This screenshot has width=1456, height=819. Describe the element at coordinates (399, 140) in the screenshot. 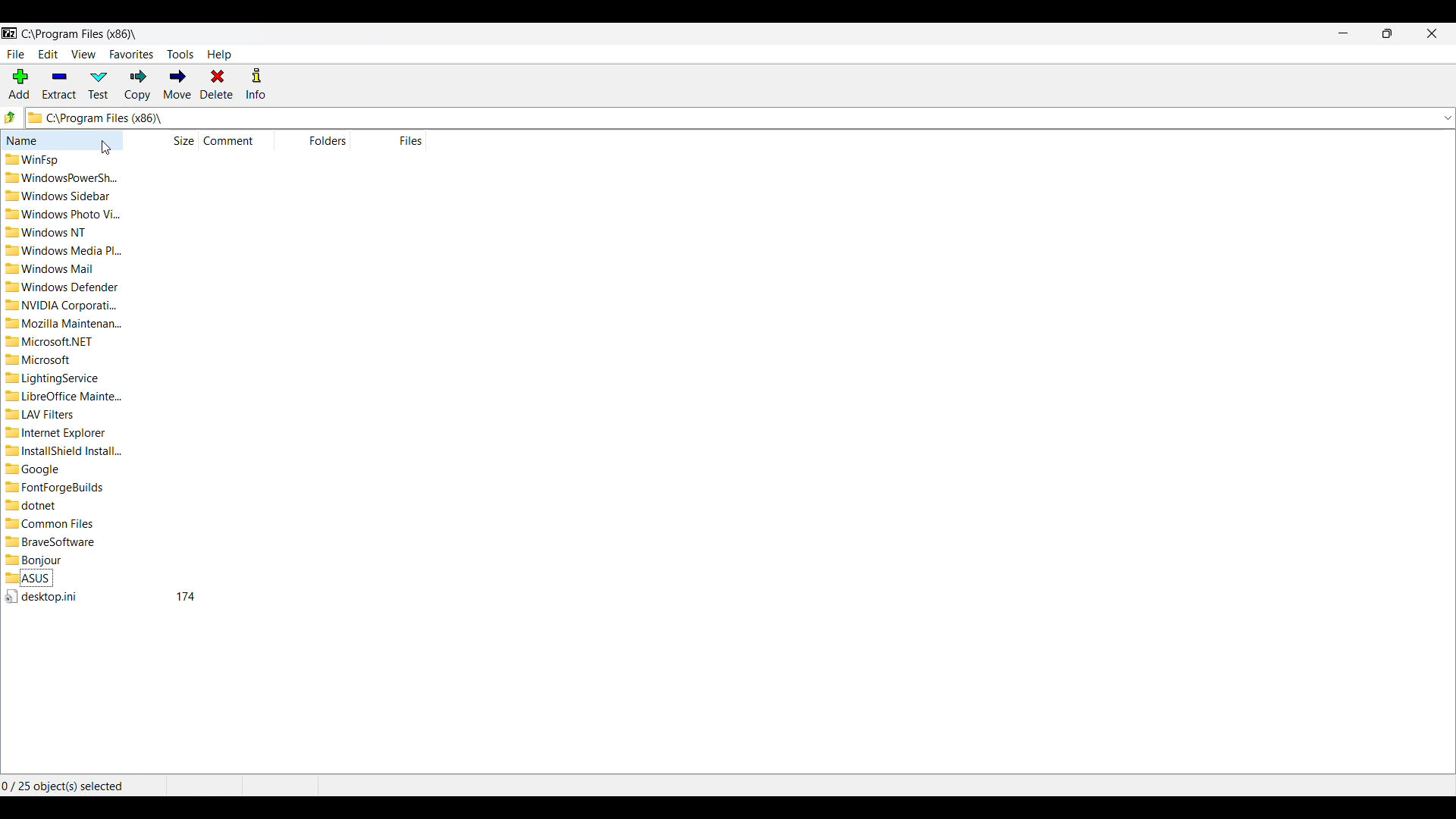

I see `Files column` at that location.